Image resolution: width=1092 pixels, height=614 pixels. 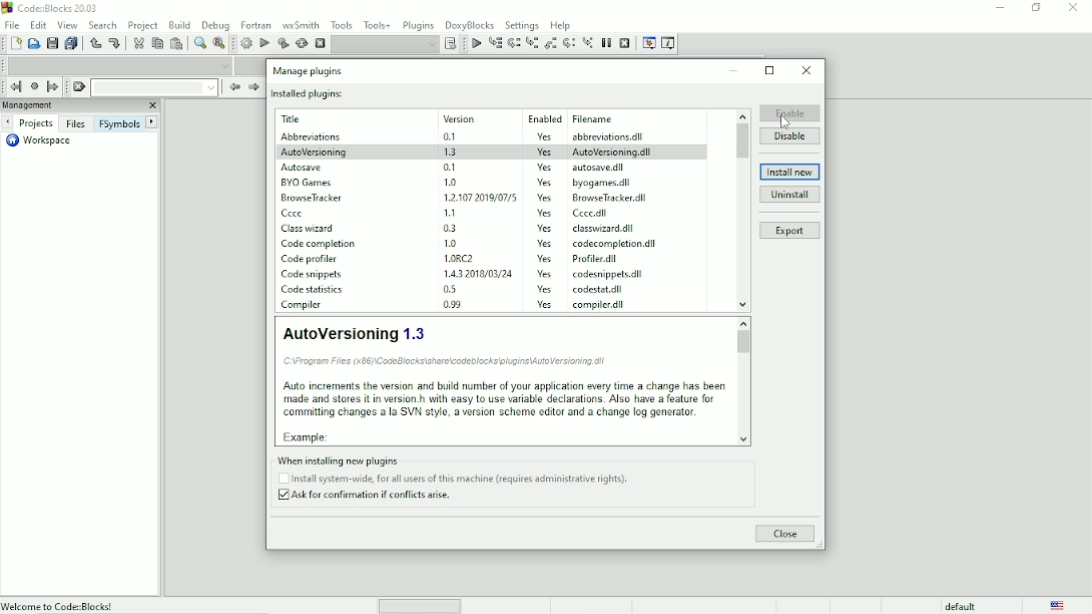 What do you see at coordinates (807, 71) in the screenshot?
I see `Close` at bounding box center [807, 71].